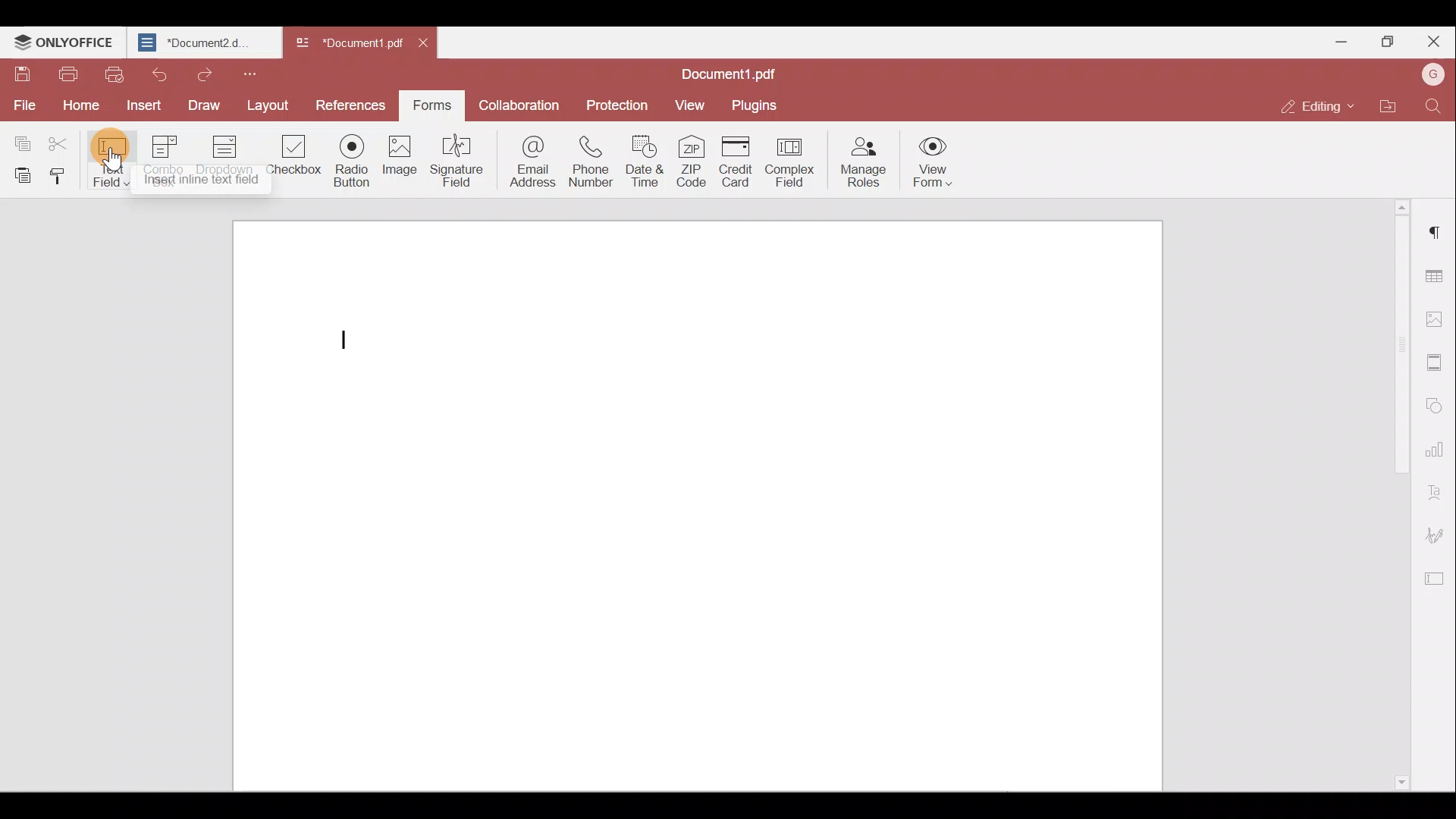  What do you see at coordinates (168, 158) in the screenshot?
I see `Combo box` at bounding box center [168, 158].